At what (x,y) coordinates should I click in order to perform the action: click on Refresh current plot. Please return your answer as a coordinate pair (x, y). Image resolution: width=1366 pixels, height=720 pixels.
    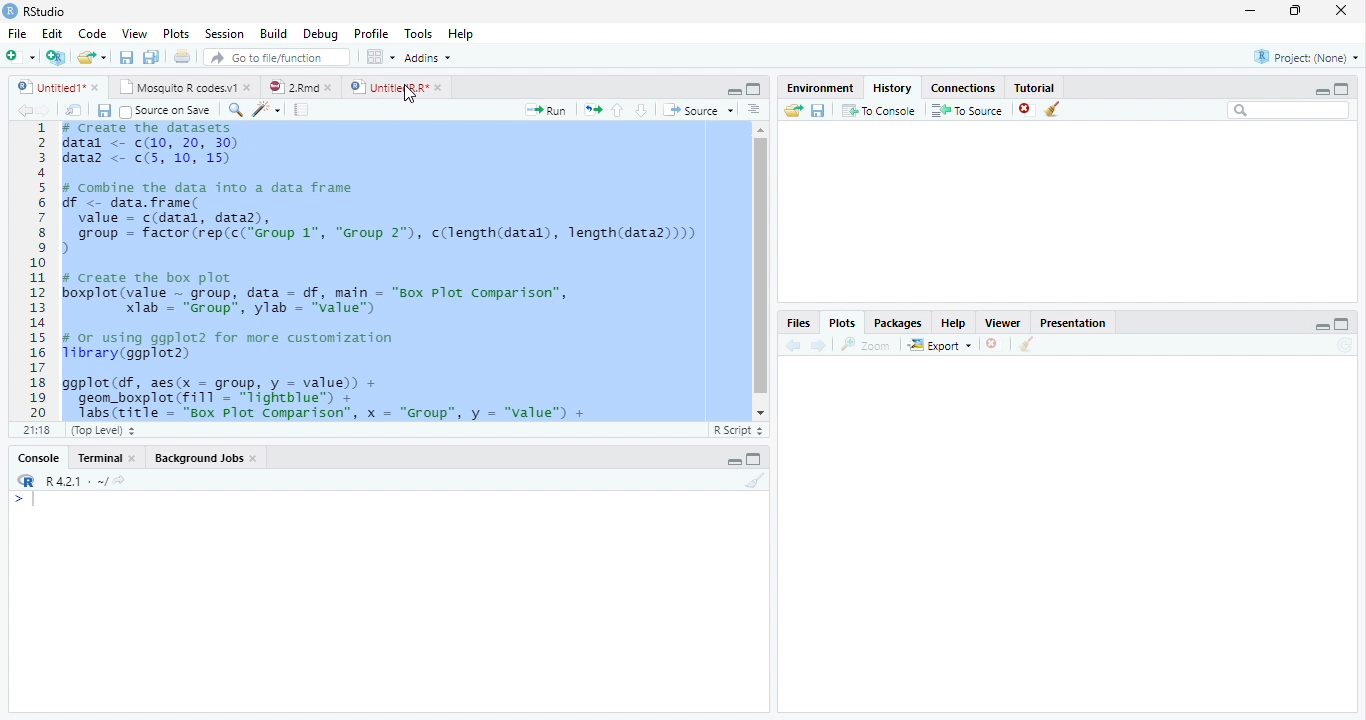
    Looking at the image, I should click on (1345, 346).